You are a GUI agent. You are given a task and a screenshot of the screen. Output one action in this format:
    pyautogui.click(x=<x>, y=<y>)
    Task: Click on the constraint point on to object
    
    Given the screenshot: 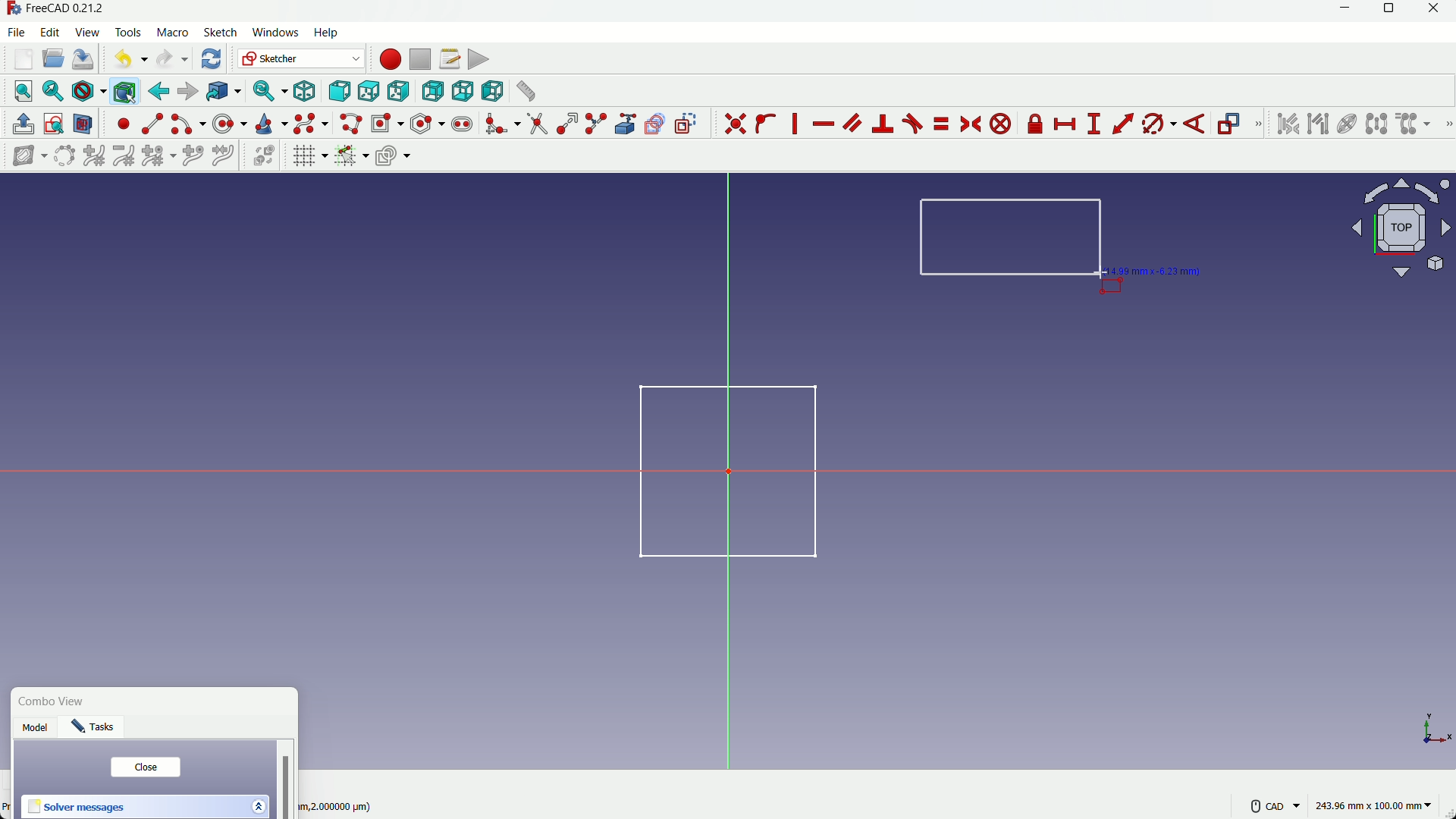 What is the action you would take?
    pyautogui.click(x=767, y=124)
    